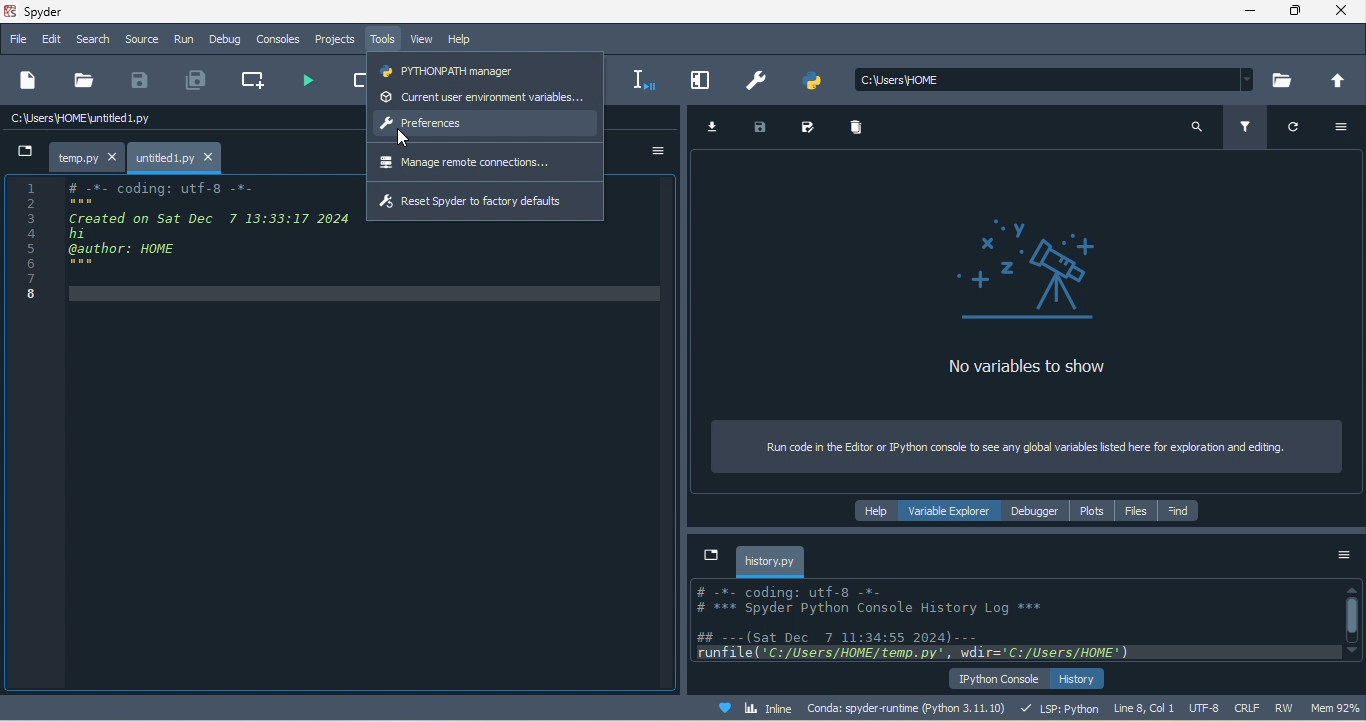 This screenshot has width=1366, height=722. Describe the element at coordinates (29, 81) in the screenshot. I see `new` at that location.